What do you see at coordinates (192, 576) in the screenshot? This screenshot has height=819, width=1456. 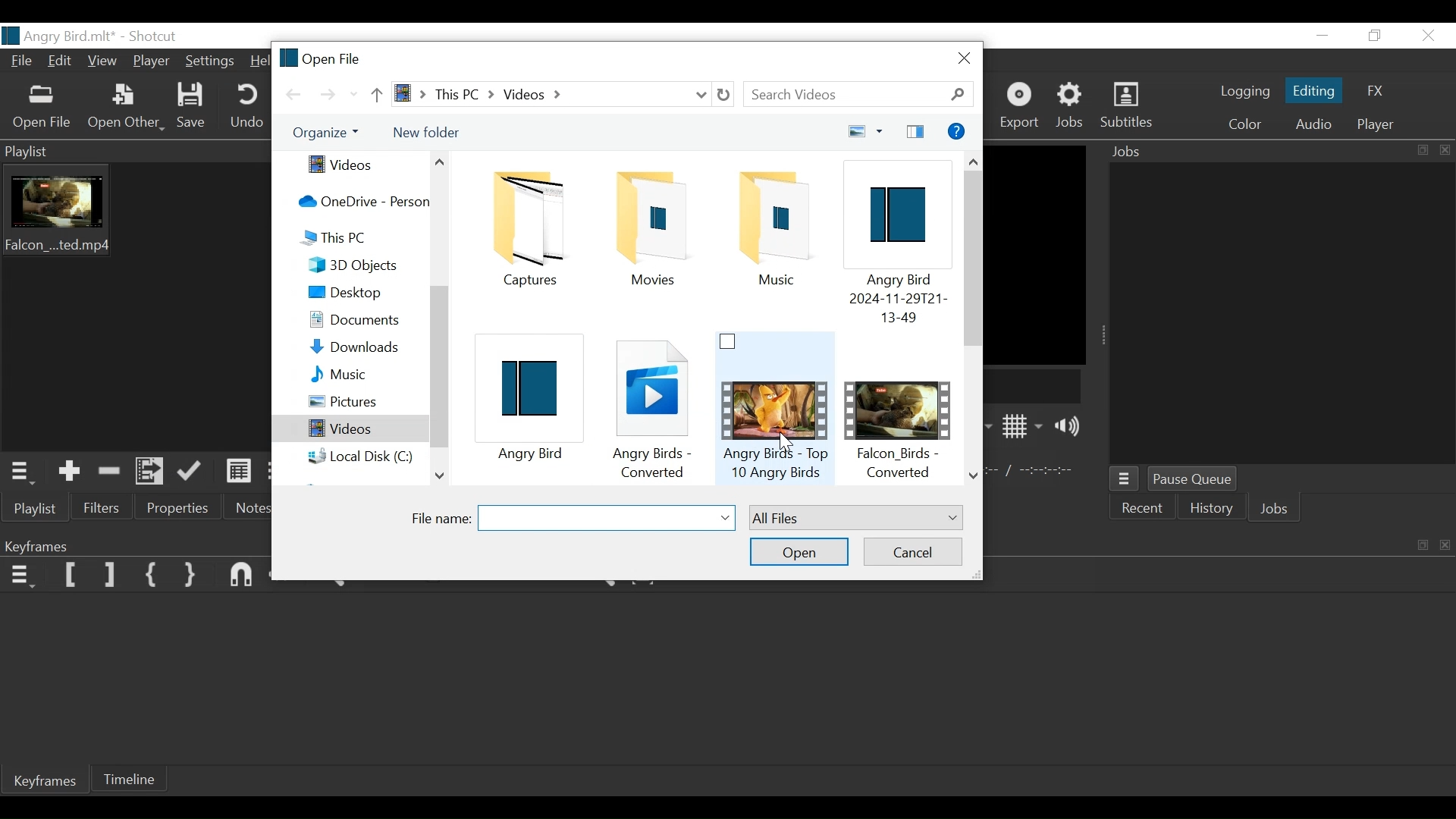 I see `Set Second Simple Keyframe` at bounding box center [192, 576].